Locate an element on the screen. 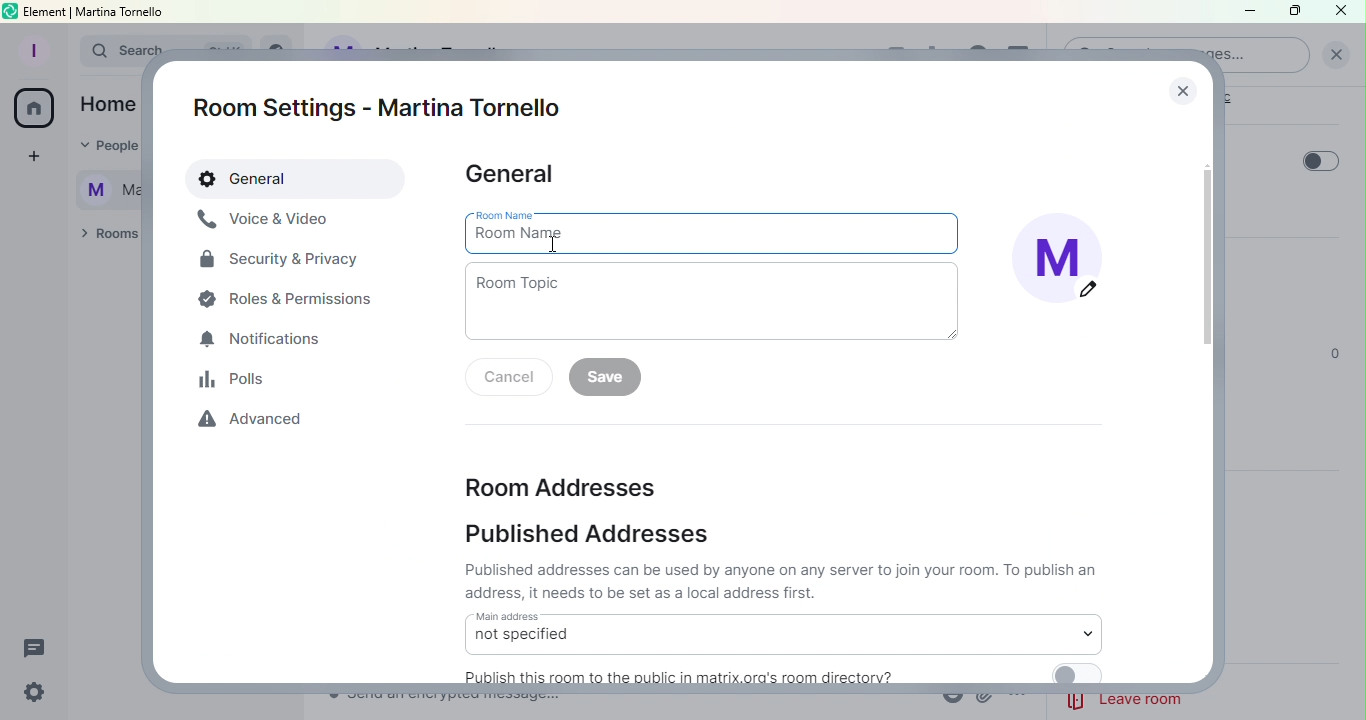 This screenshot has width=1366, height=720. Room settings - Martina Tornello is located at coordinates (385, 108).